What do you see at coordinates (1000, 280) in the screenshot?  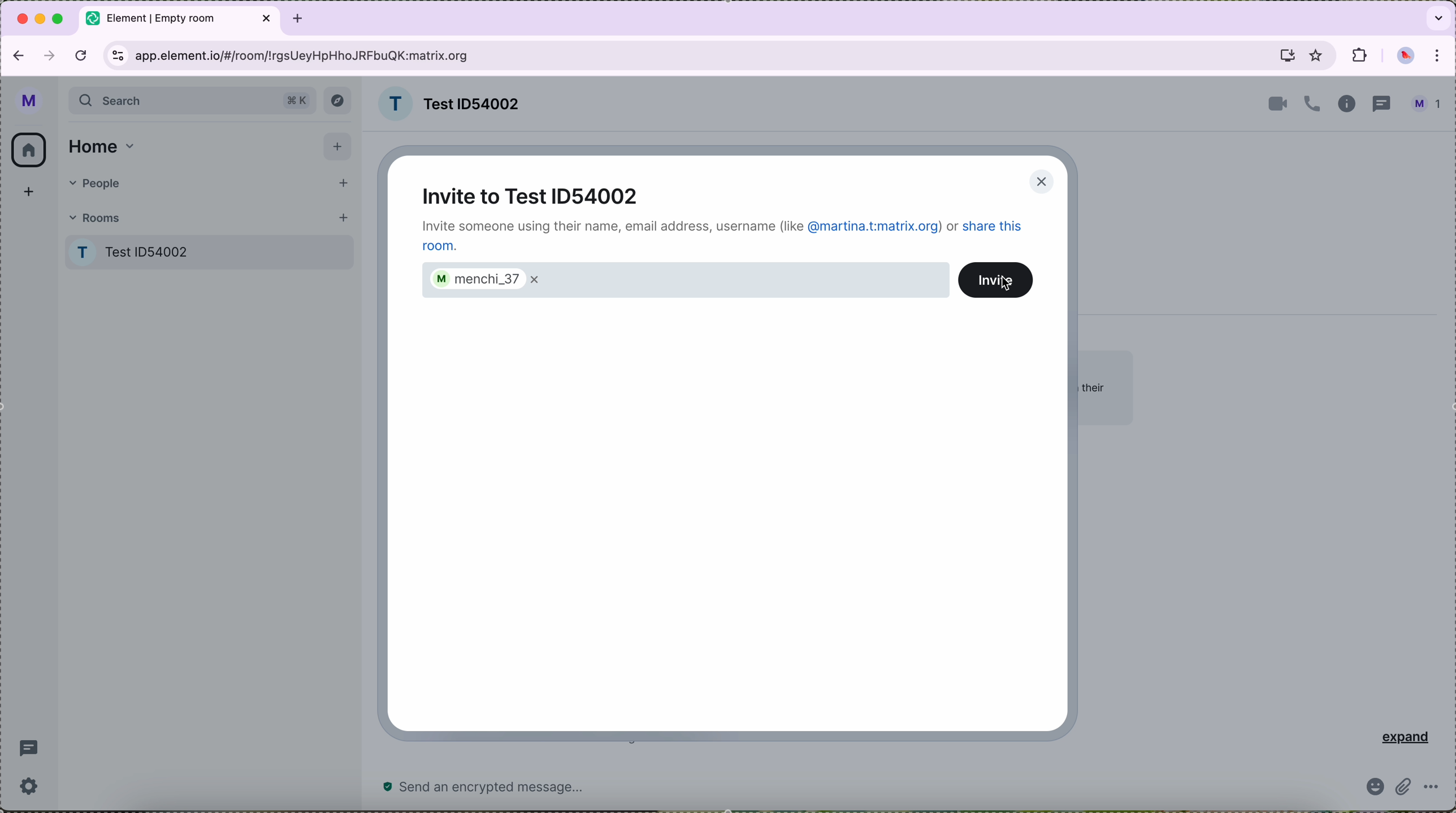 I see `invite button` at bounding box center [1000, 280].